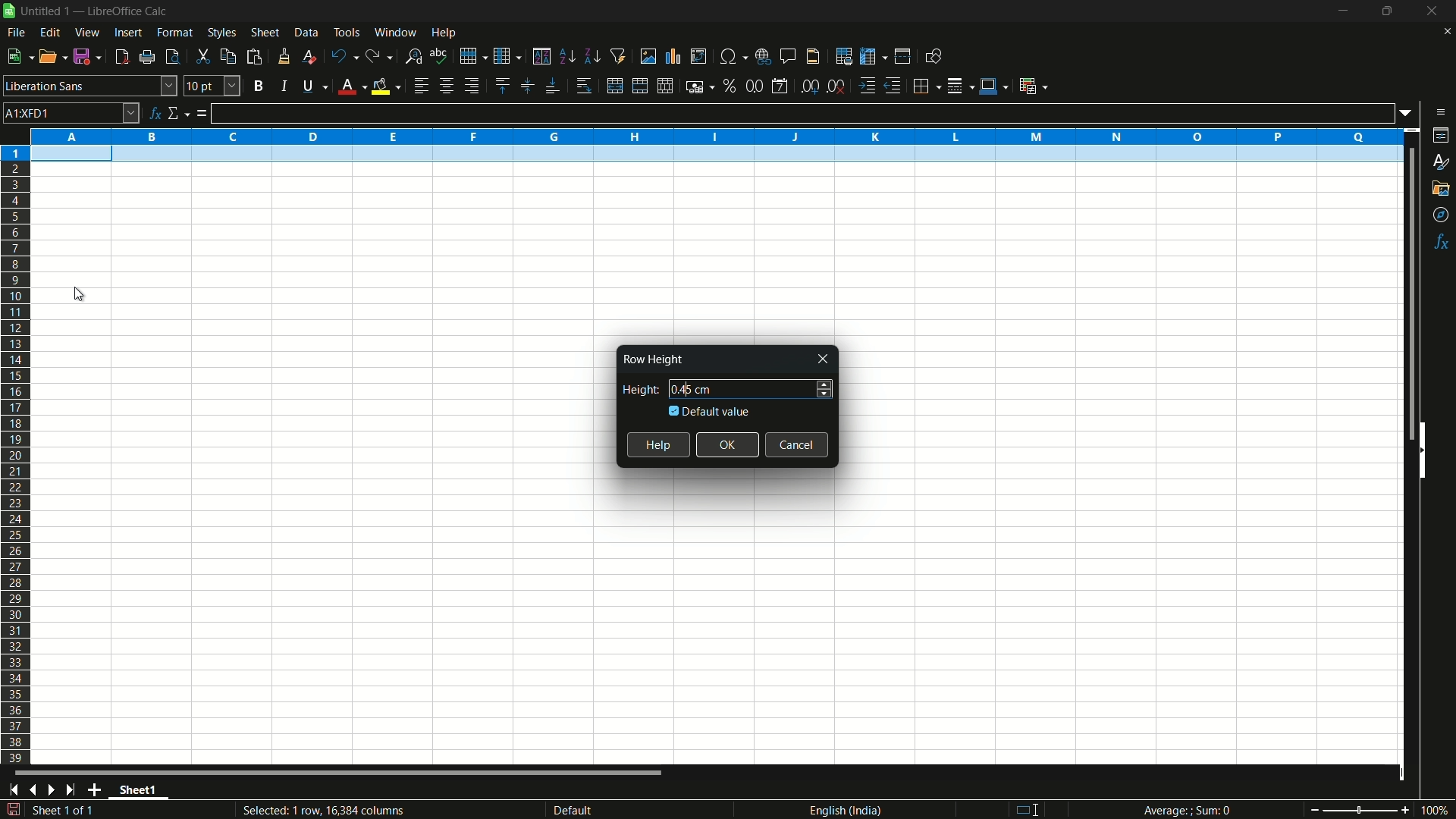  What do you see at coordinates (85, 296) in the screenshot?
I see `cursor` at bounding box center [85, 296].